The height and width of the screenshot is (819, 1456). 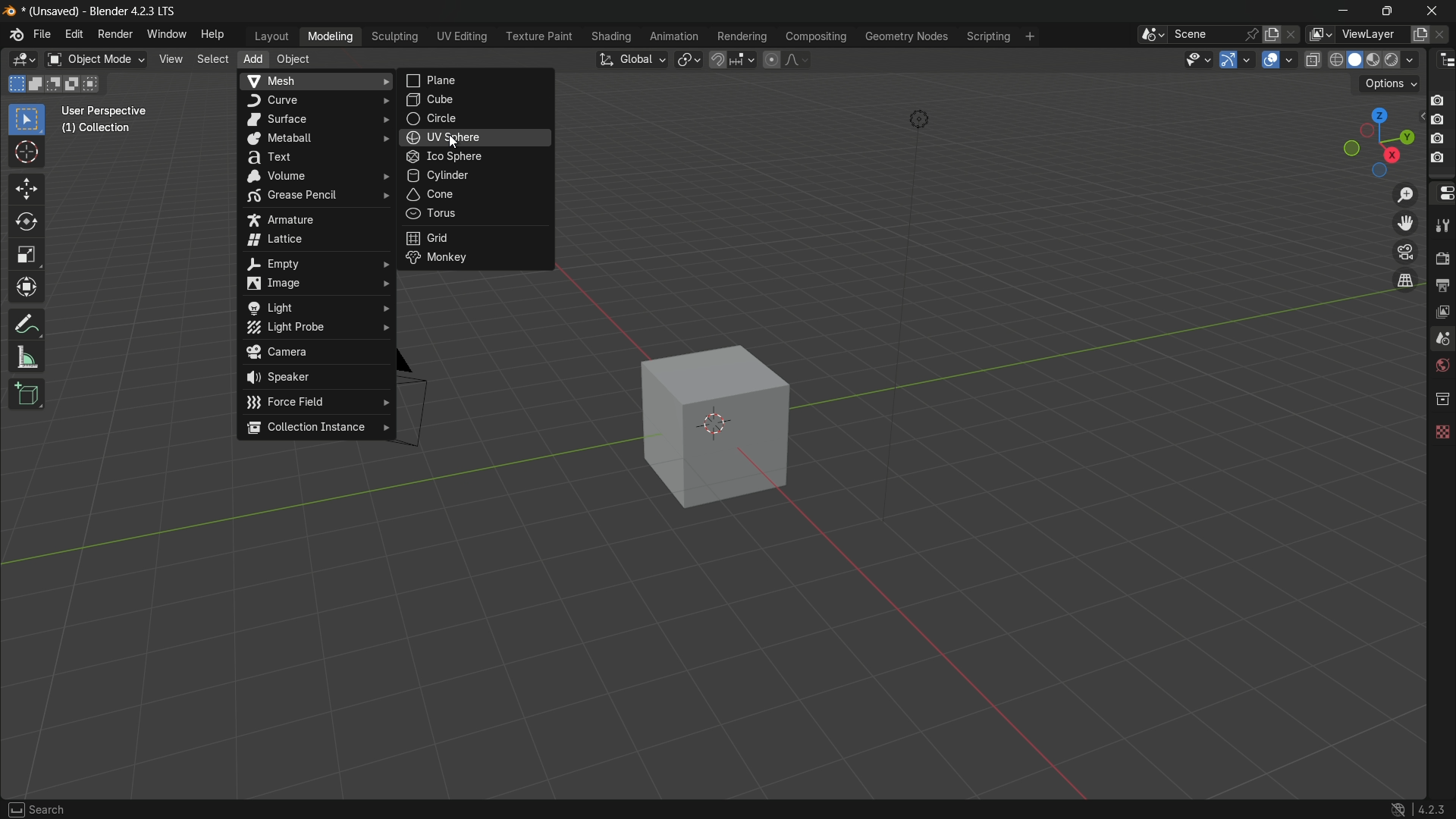 What do you see at coordinates (476, 158) in the screenshot?
I see `ico sphere` at bounding box center [476, 158].